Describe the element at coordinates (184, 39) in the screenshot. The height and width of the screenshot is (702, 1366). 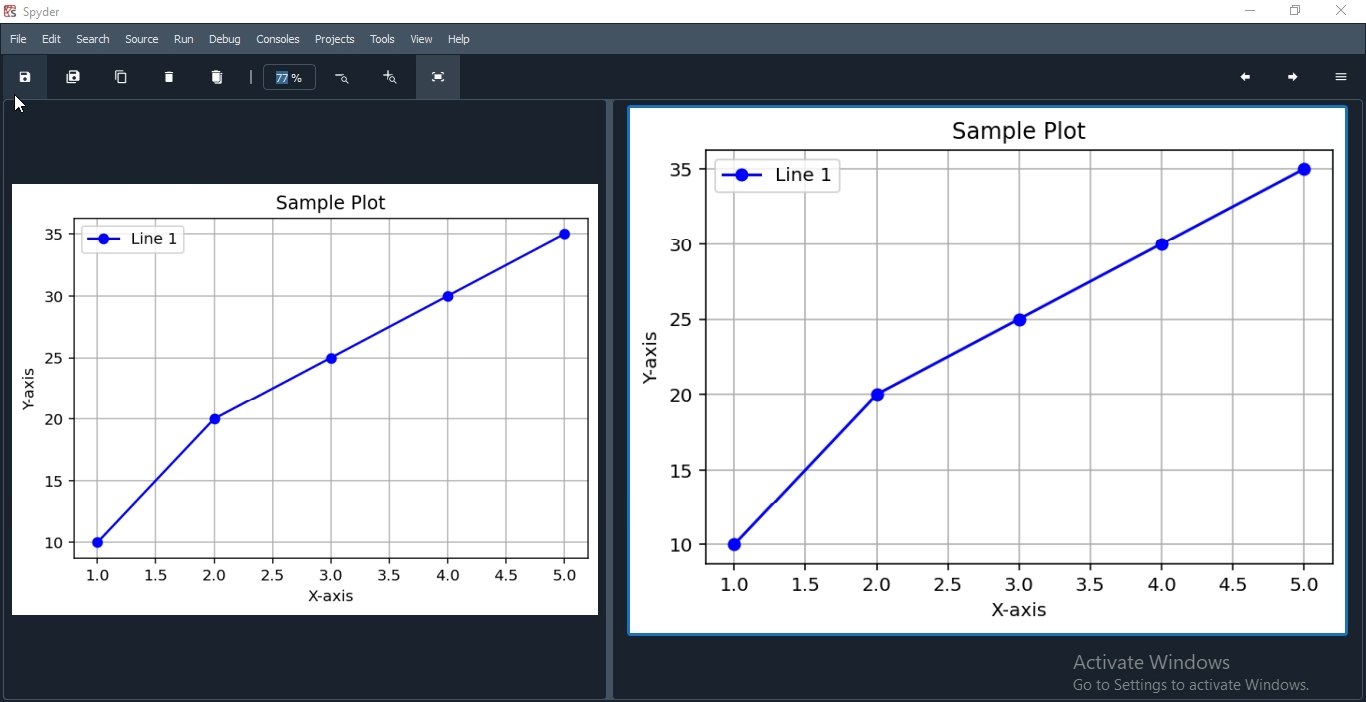
I see `Run` at that location.